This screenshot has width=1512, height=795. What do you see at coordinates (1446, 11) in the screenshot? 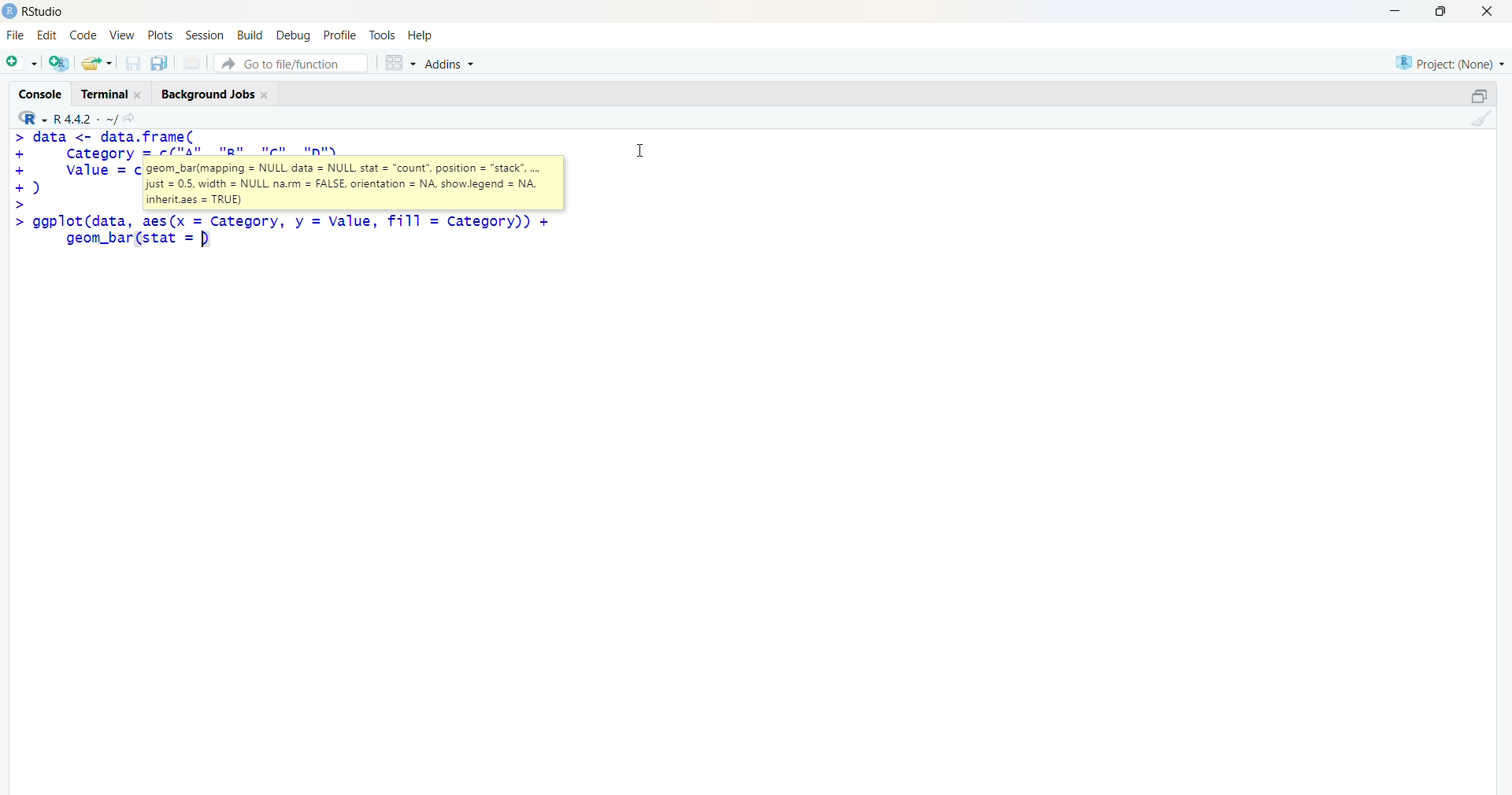
I see `maximize` at bounding box center [1446, 11].